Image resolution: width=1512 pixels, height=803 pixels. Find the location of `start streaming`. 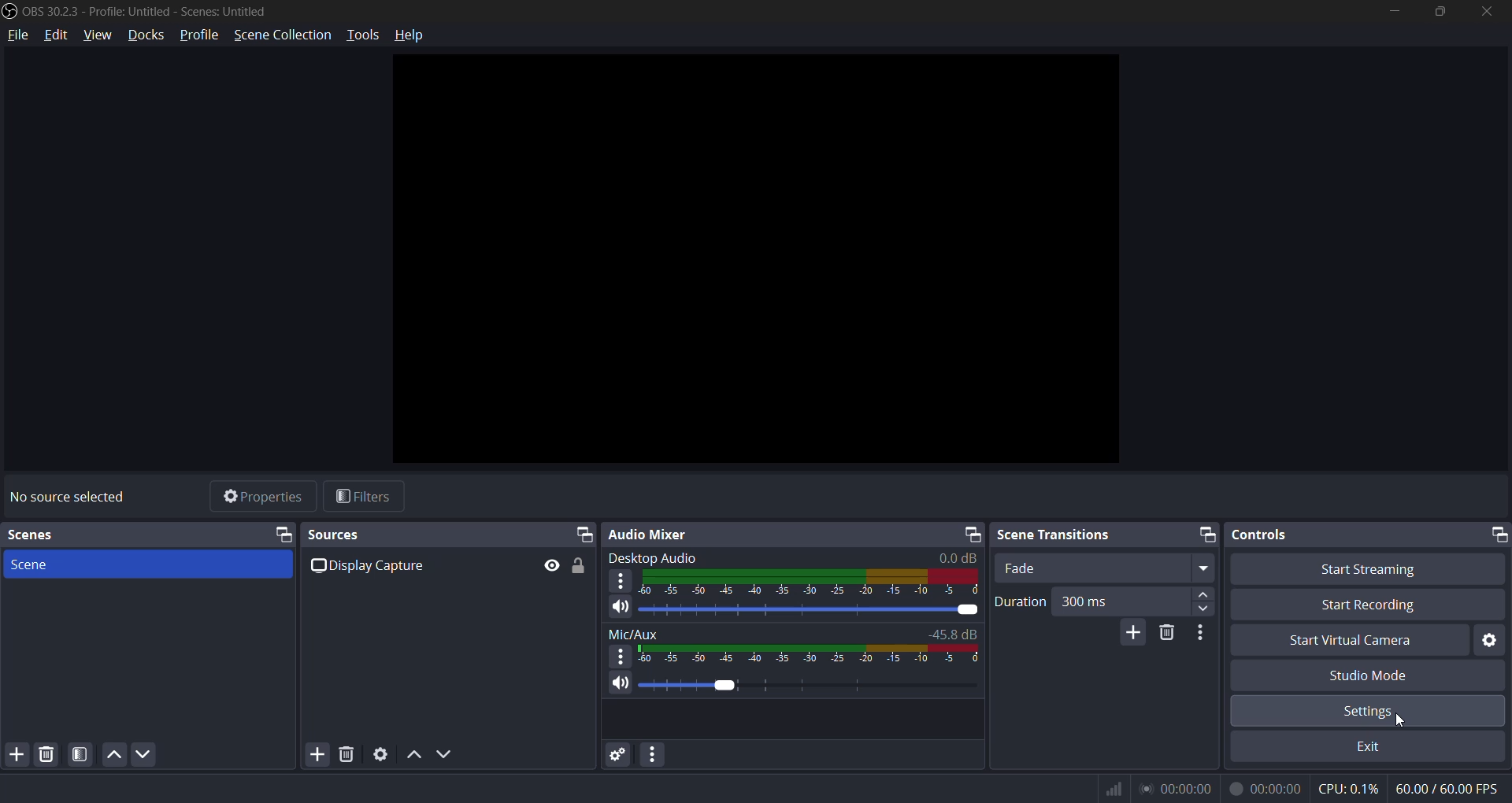

start streaming is located at coordinates (1363, 572).